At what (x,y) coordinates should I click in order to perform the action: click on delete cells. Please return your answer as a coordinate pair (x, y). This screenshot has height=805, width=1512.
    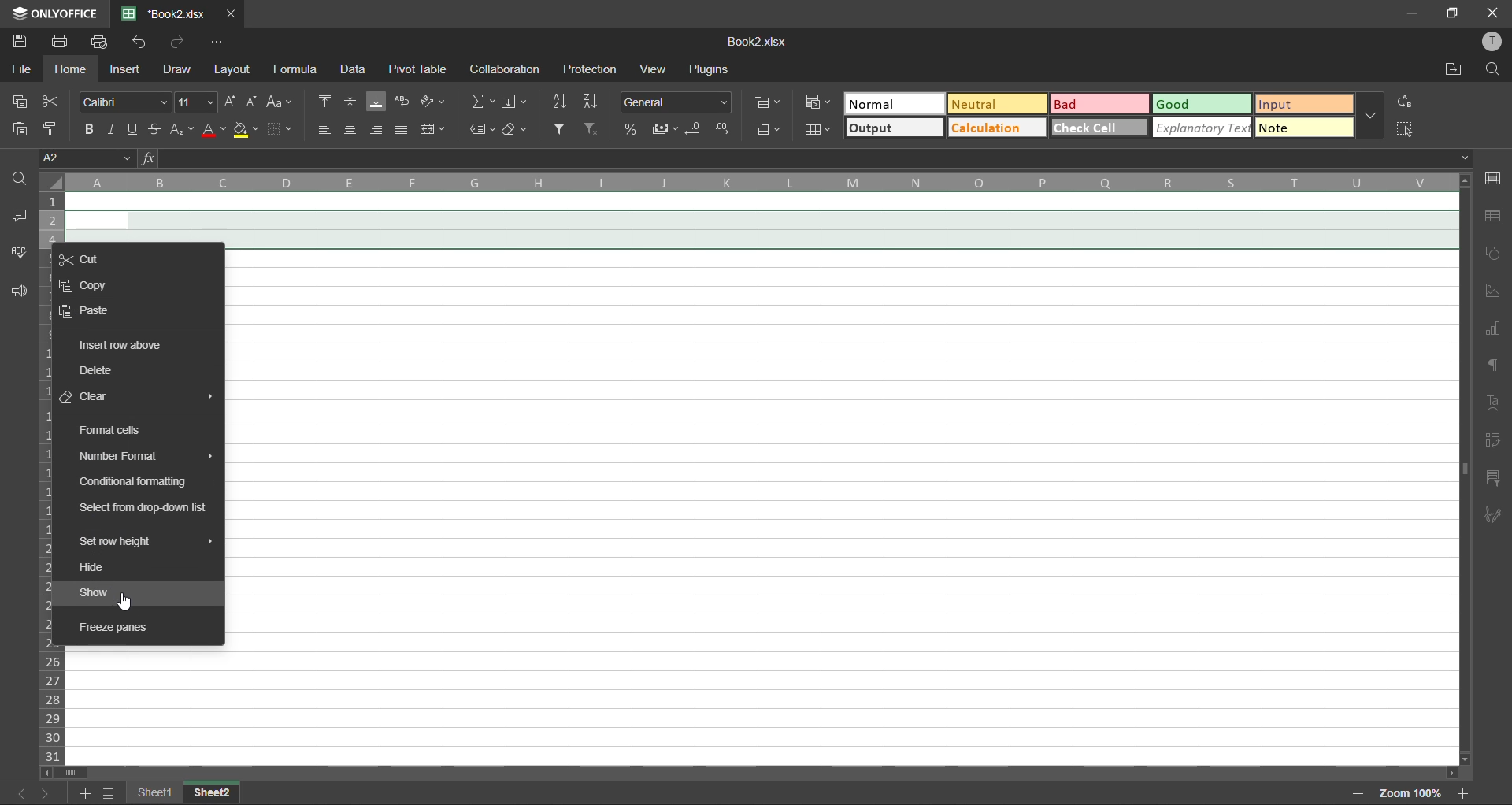
    Looking at the image, I should click on (769, 131).